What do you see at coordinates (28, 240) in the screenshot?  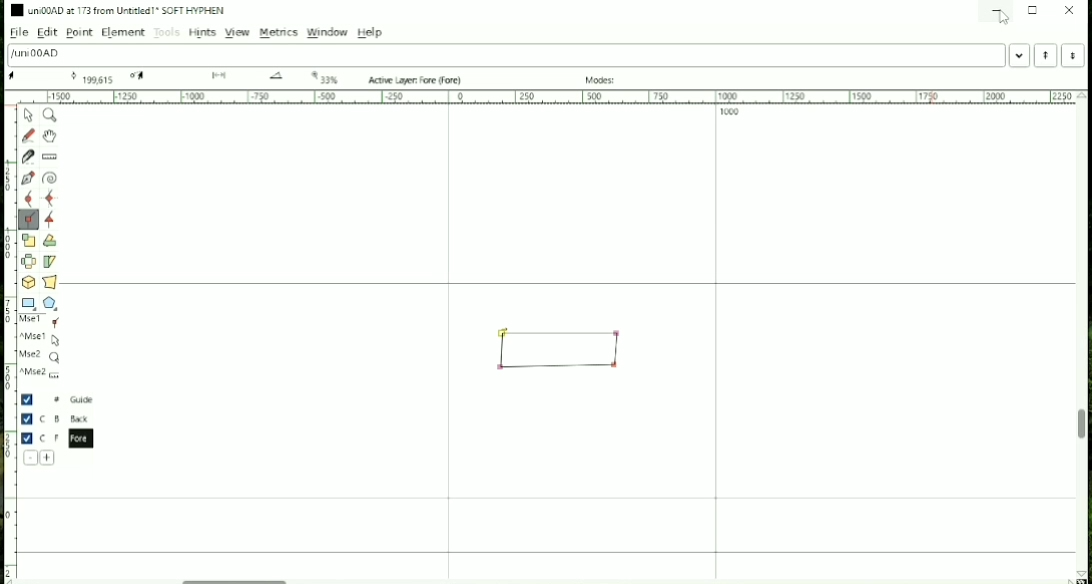 I see `Scale the selection` at bounding box center [28, 240].